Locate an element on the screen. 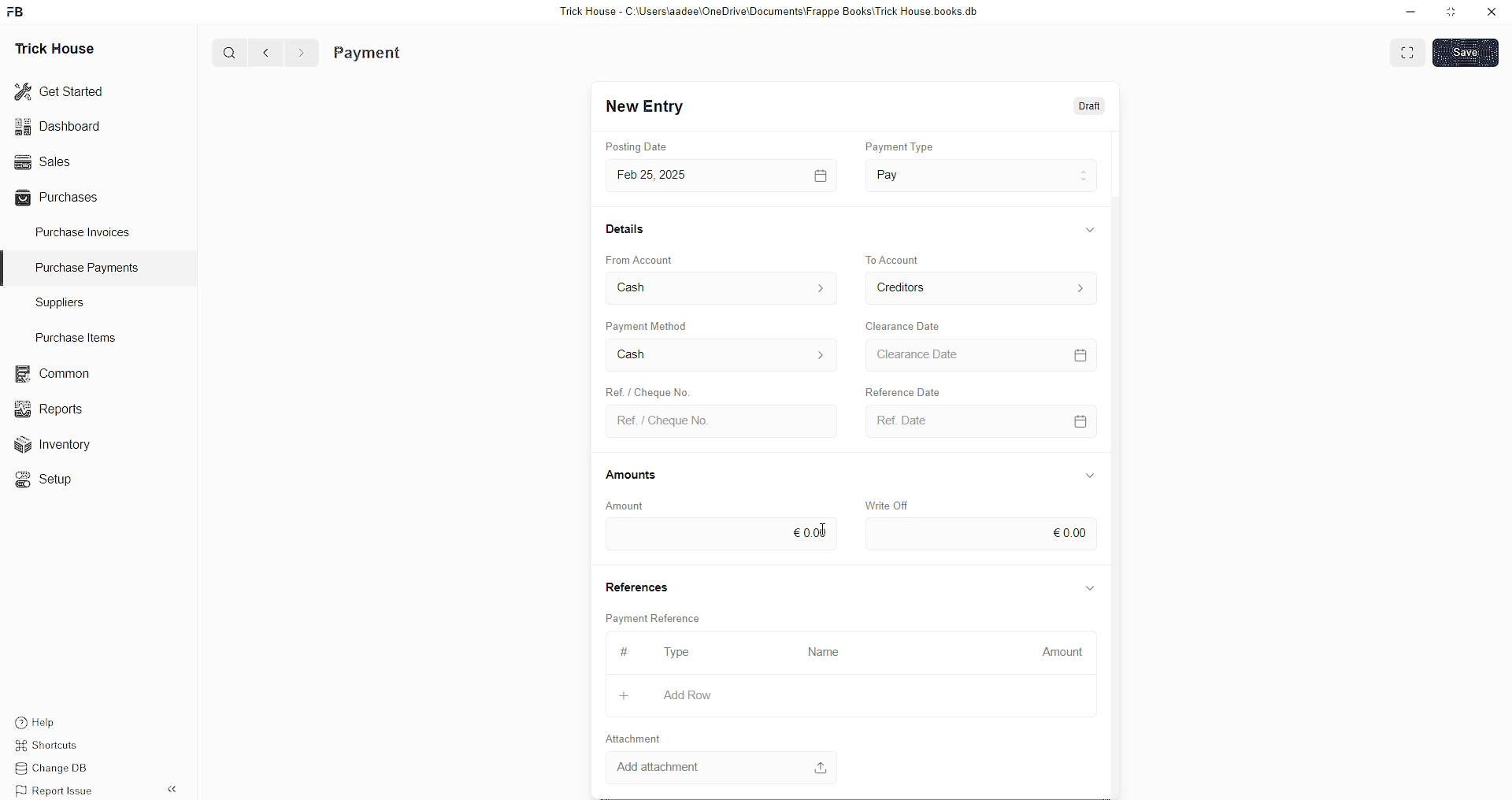 This screenshot has width=1512, height=800. Purchase Items is located at coordinates (80, 335).